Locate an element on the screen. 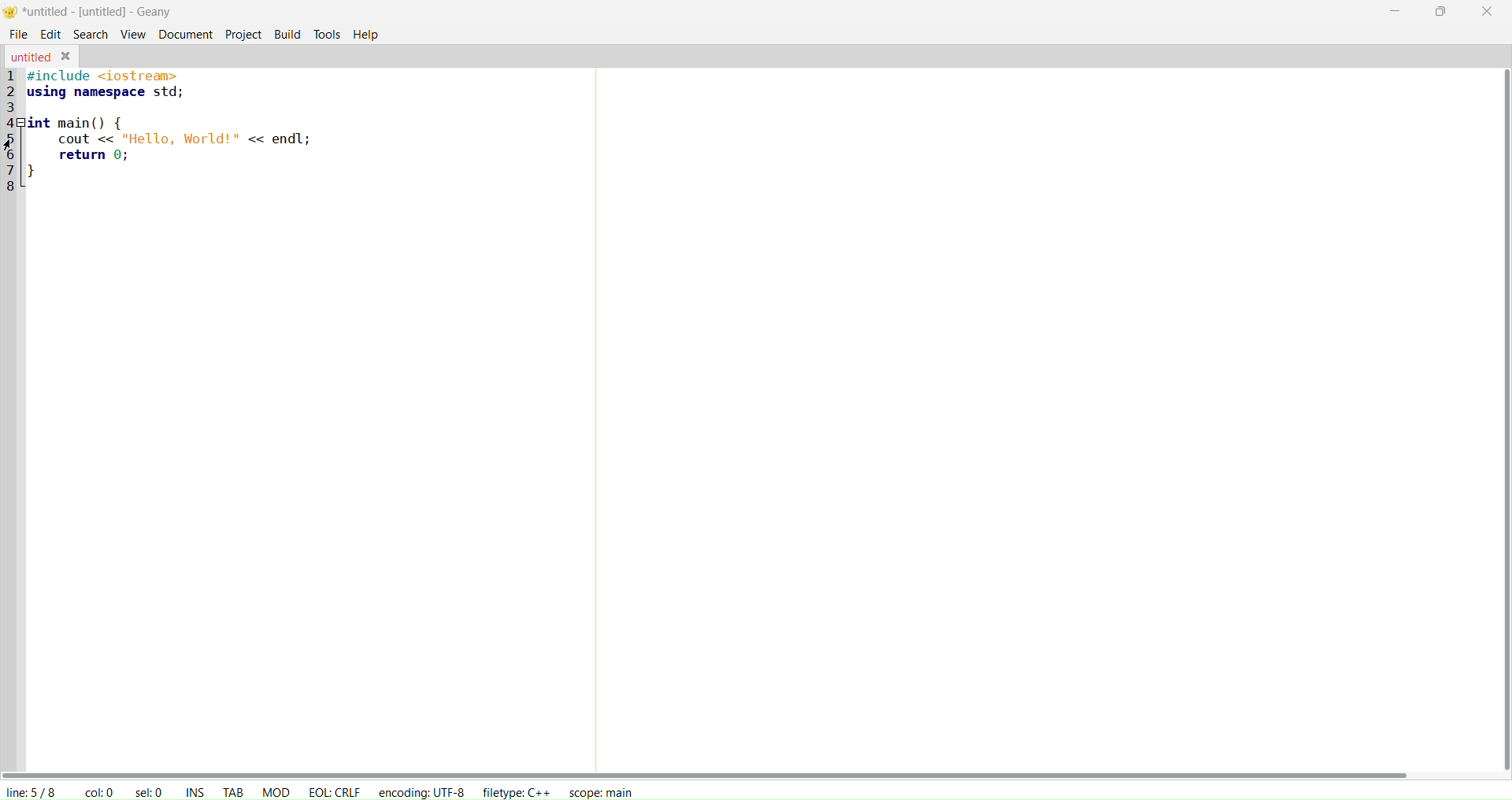 This screenshot has width=1512, height=800. 5      cout << "Hello, World!" << endl; is located at coordinates (165, 139).